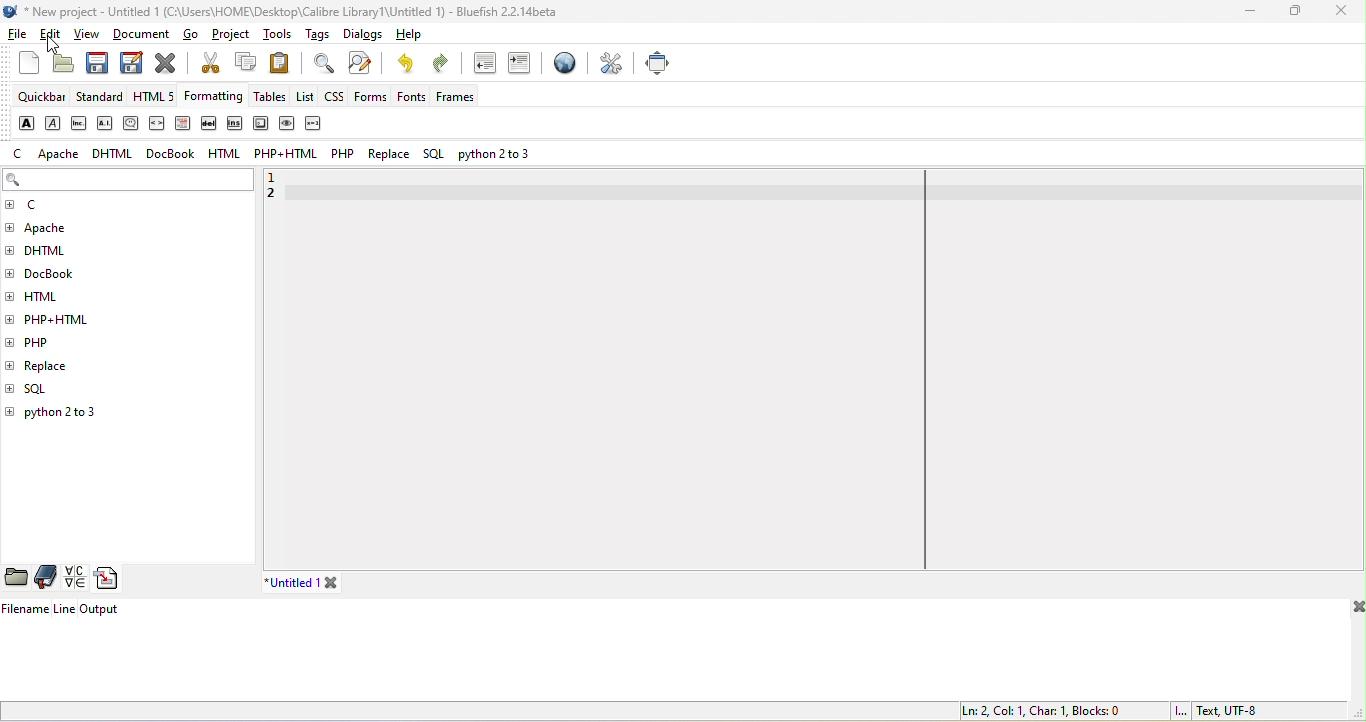 The height and width of the screenshot is (722, 1366). I want to click on unindent, so click(482, 65).